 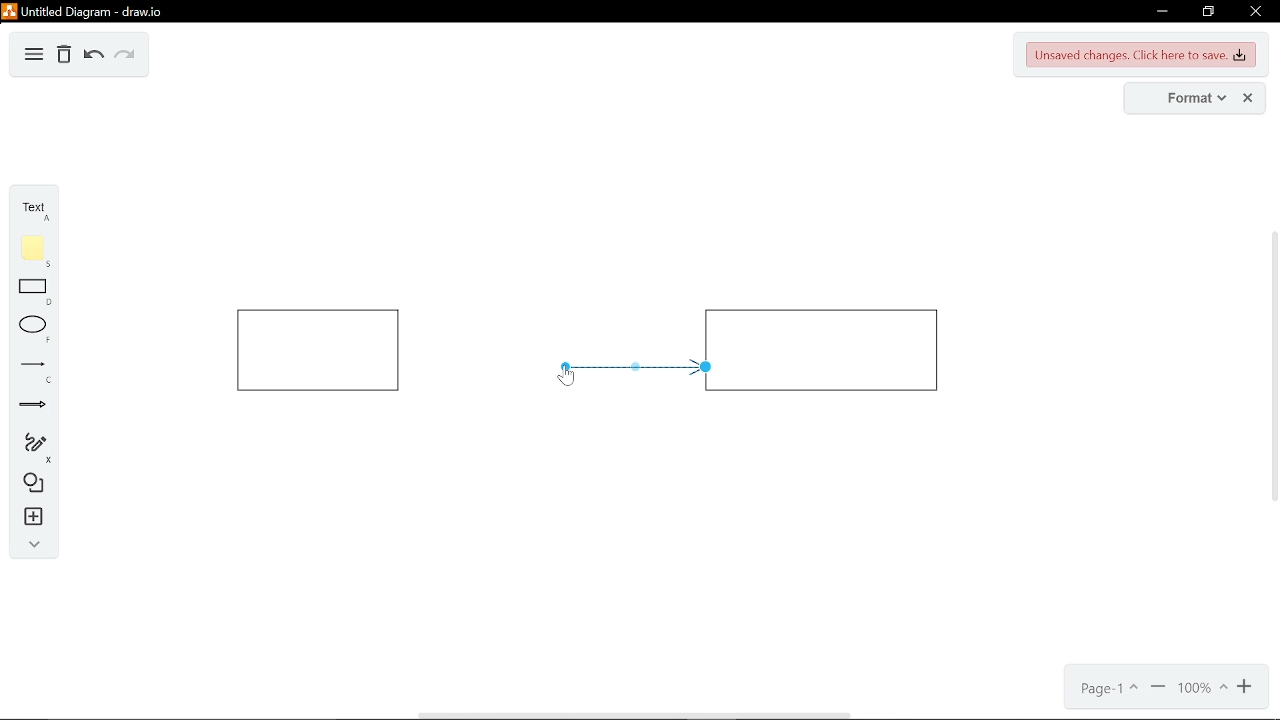 I want to click on shapes, so click(x=30, y=482).